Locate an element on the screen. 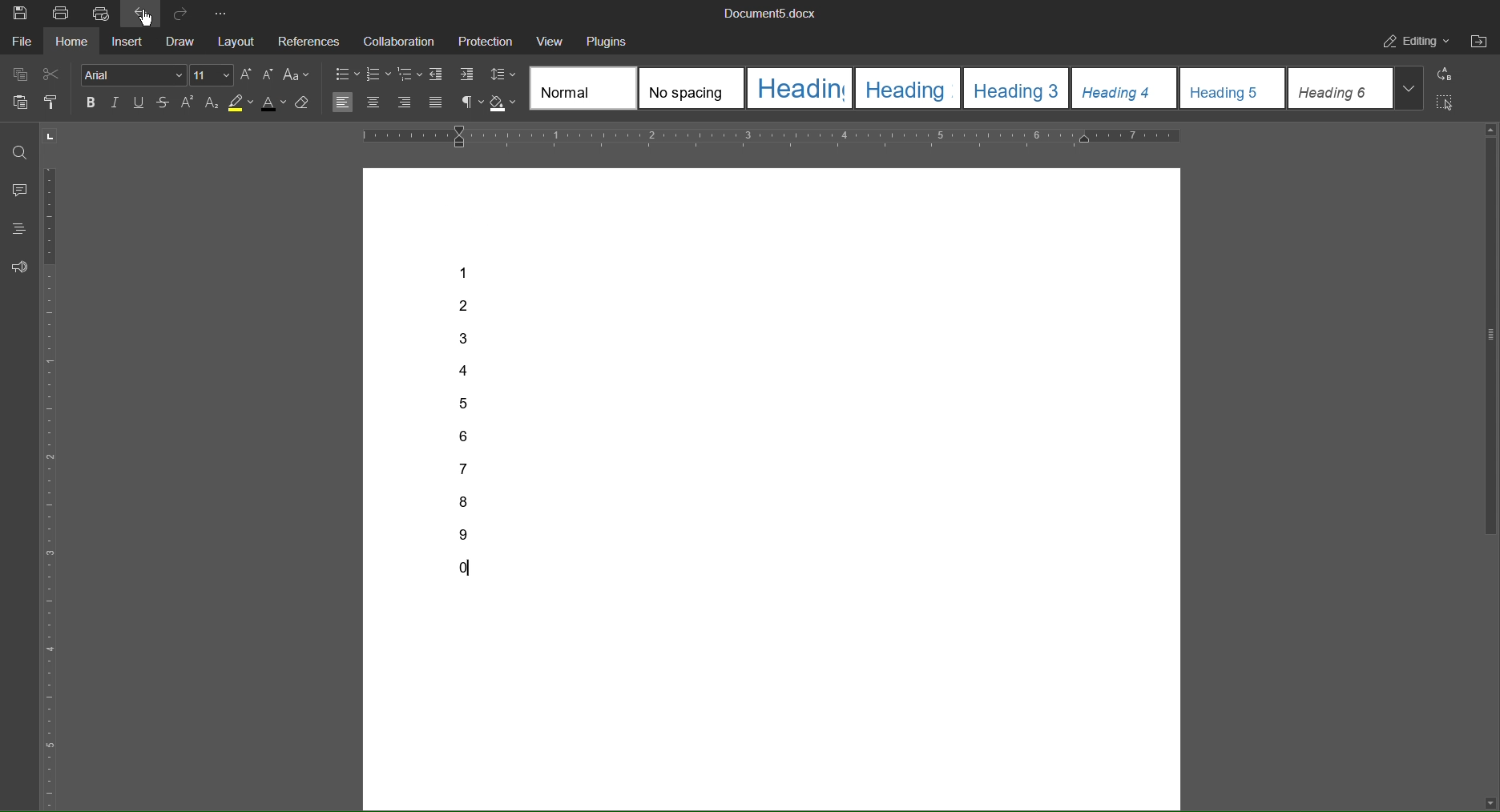 This screenshot has width=1500, height=812. Quick Print is located at coordinates (103, 13).